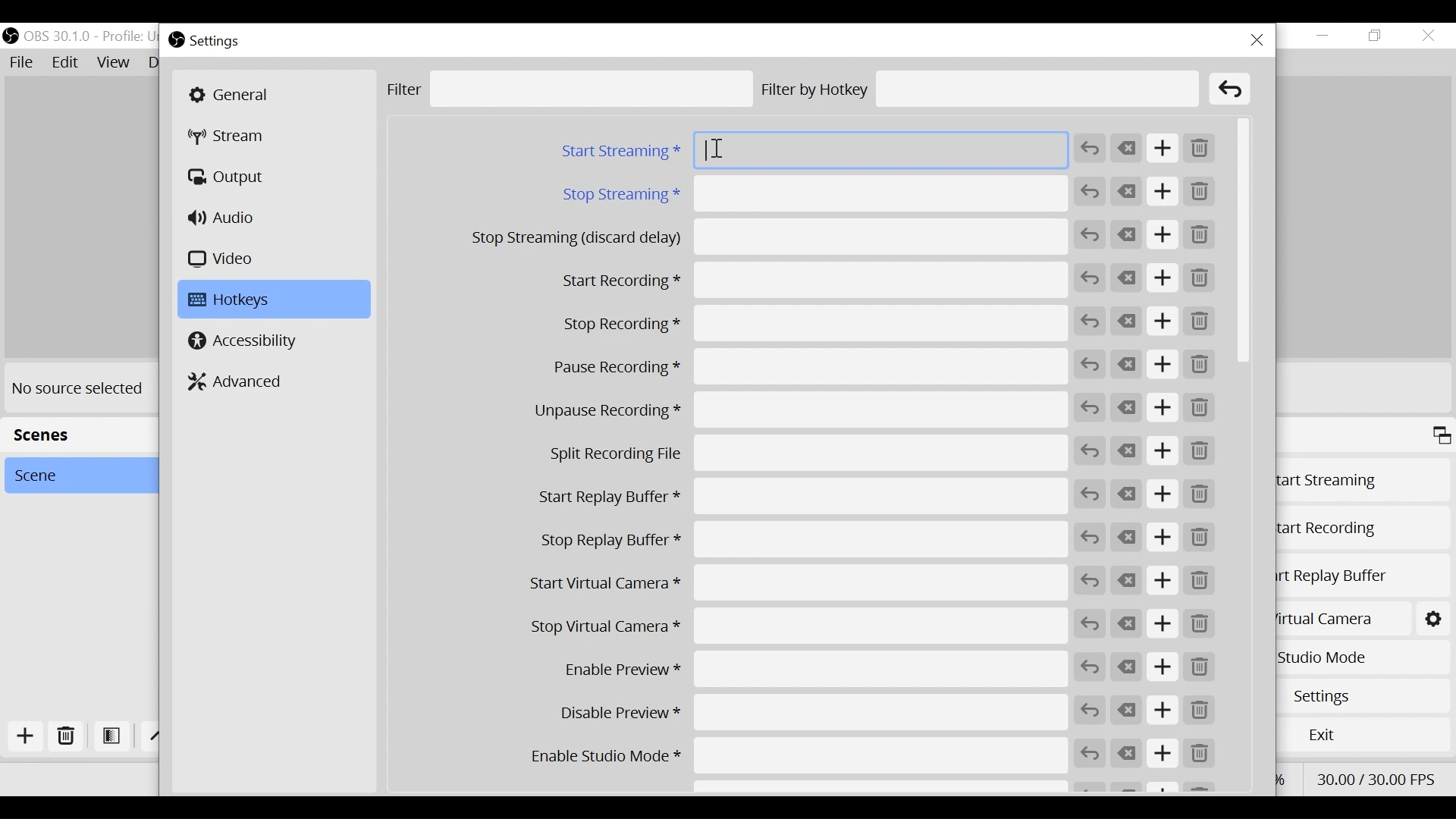 Image resolution: width=1456 pixels, height=819 pixels. I want to click on Stop Streaming, so click(813, 194).